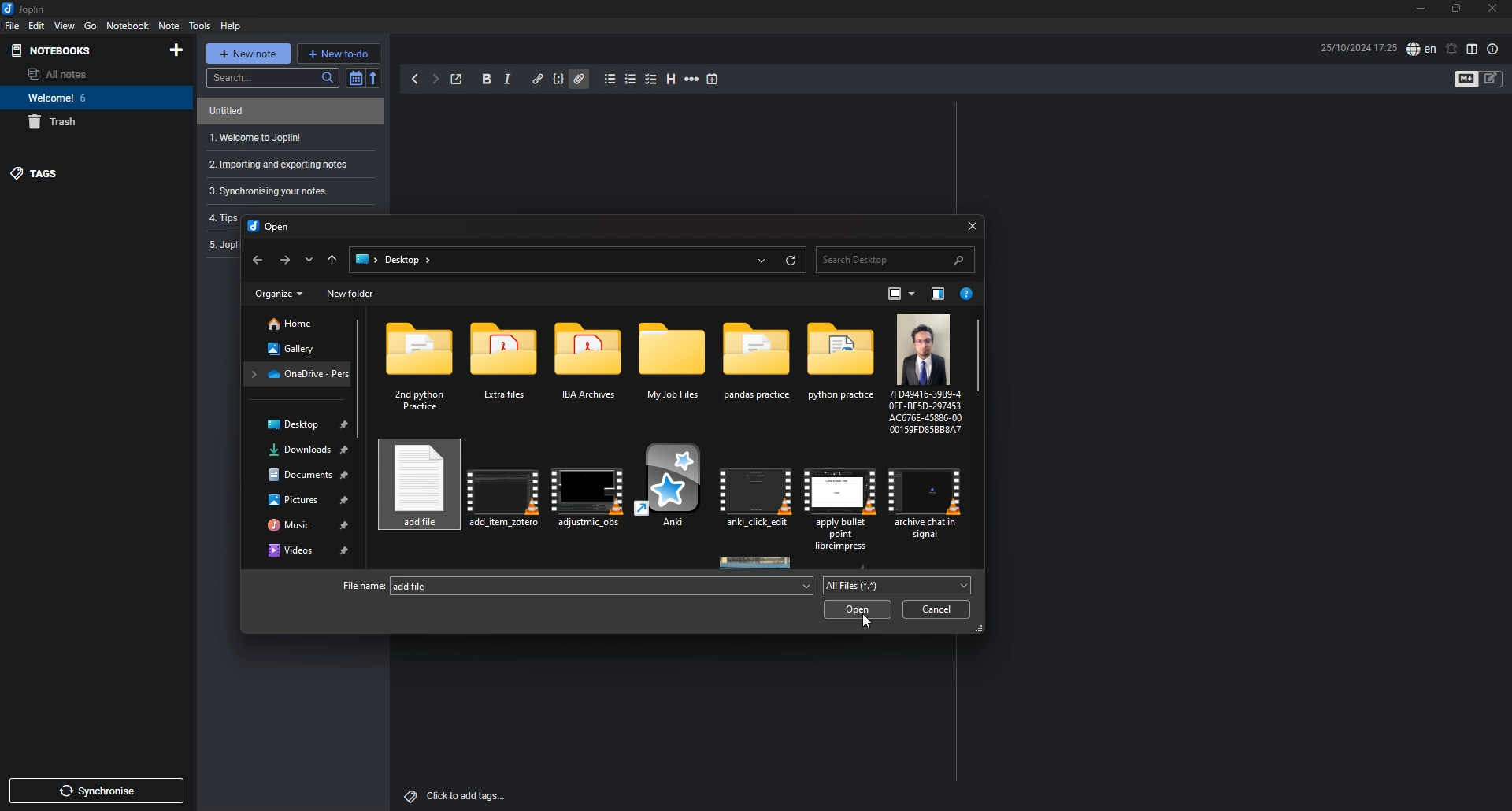 Image resolution: width=1512 pixels, height=811 pixels. Describe the element at coordinates (758, 369) in the screenshot. I see `folder` at that location.